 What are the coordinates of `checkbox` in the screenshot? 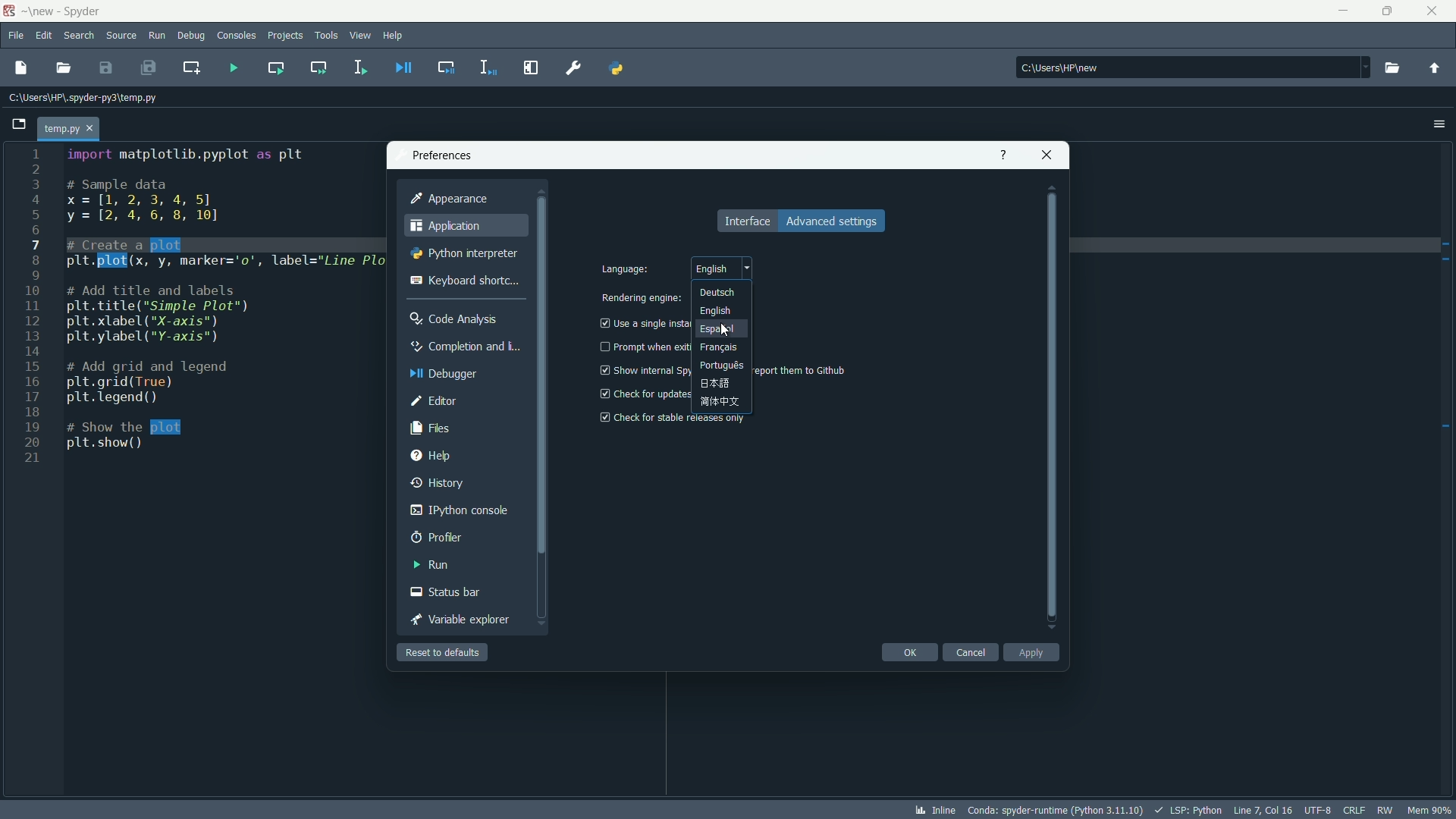 It's located at (601, 418).